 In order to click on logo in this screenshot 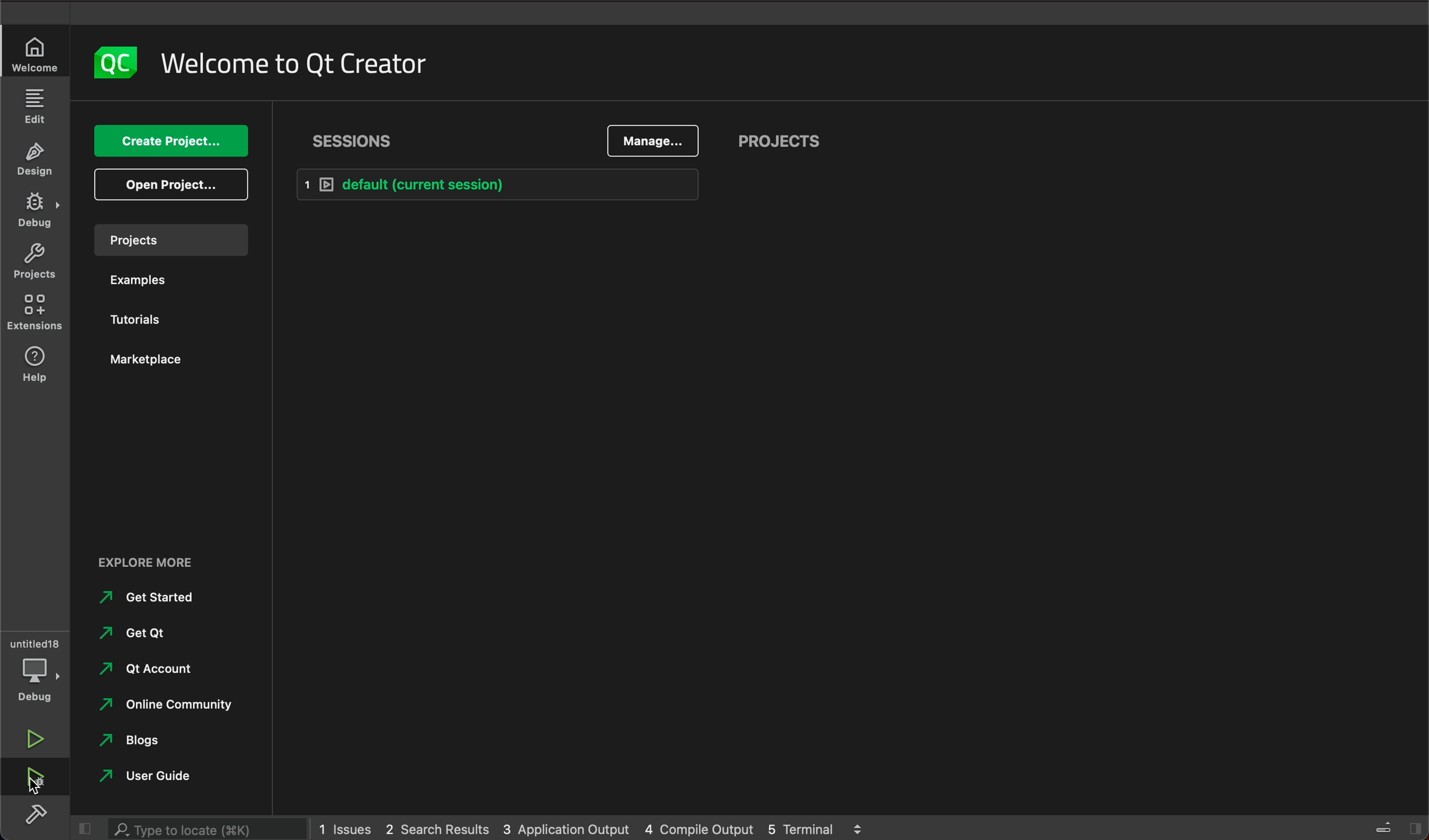, I will do `click(116, 63)`.